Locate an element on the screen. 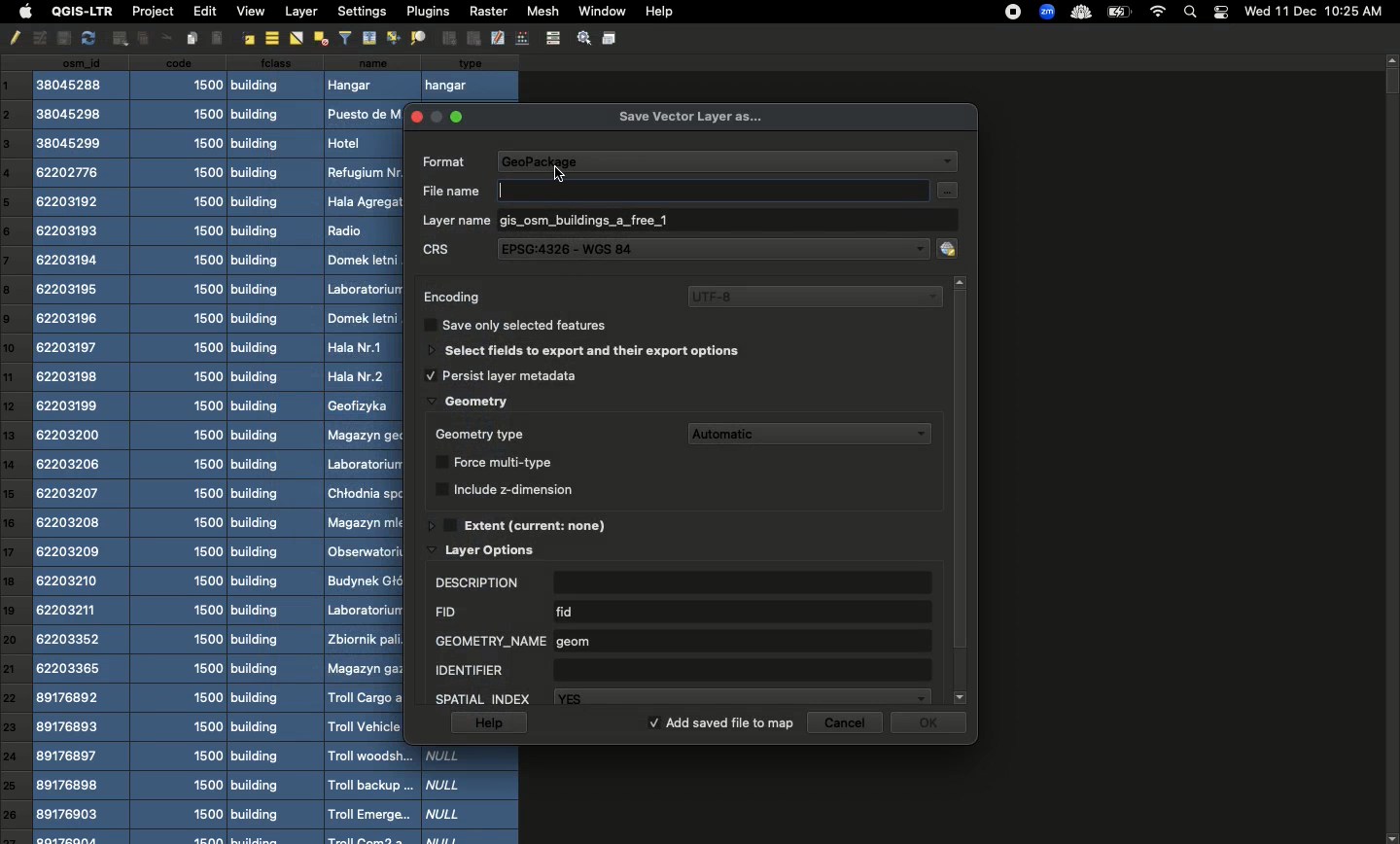 The image size is (1400, 844). Help is located at coordinates (658, 13).